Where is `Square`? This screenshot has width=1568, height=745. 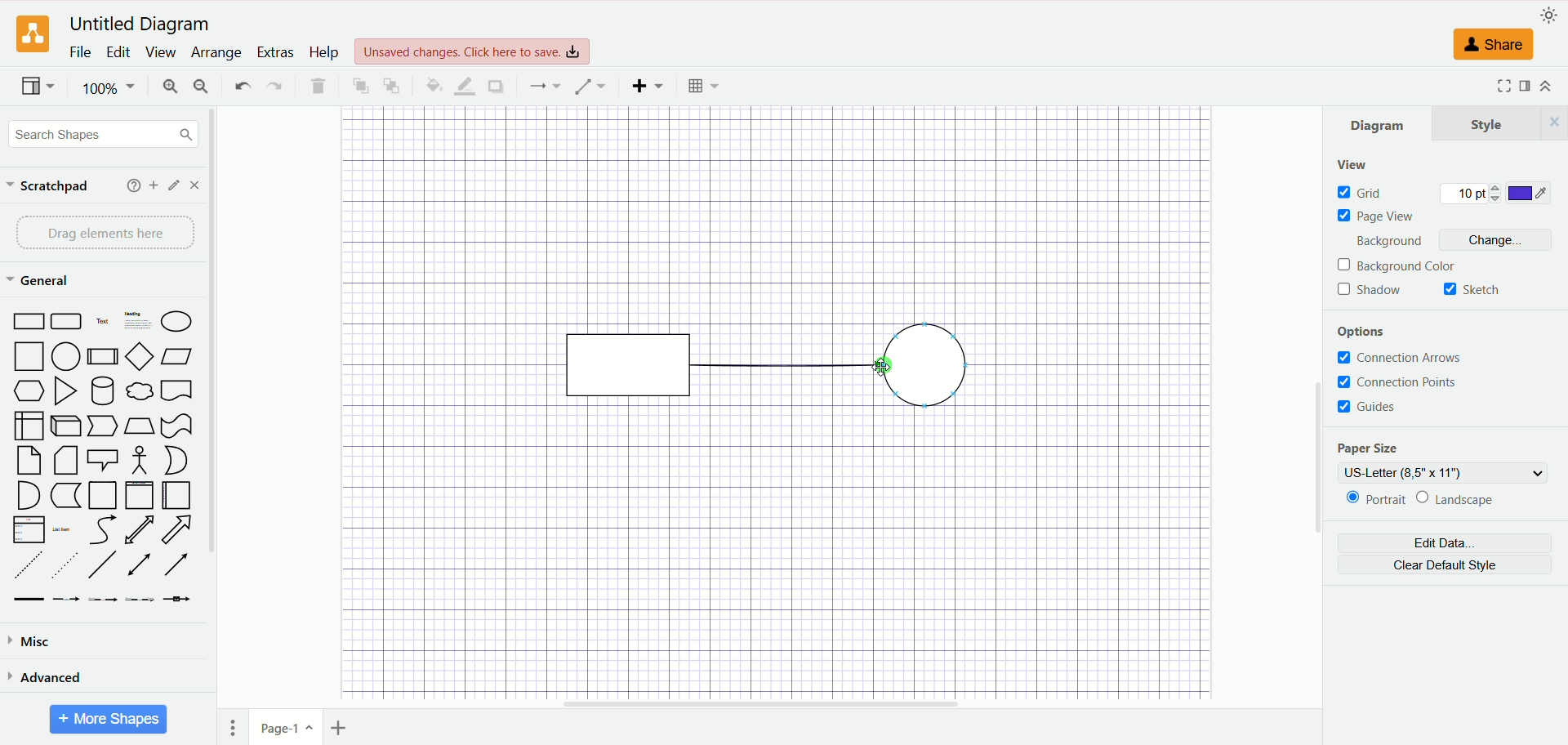 Square is located at coordinates (29, 358).